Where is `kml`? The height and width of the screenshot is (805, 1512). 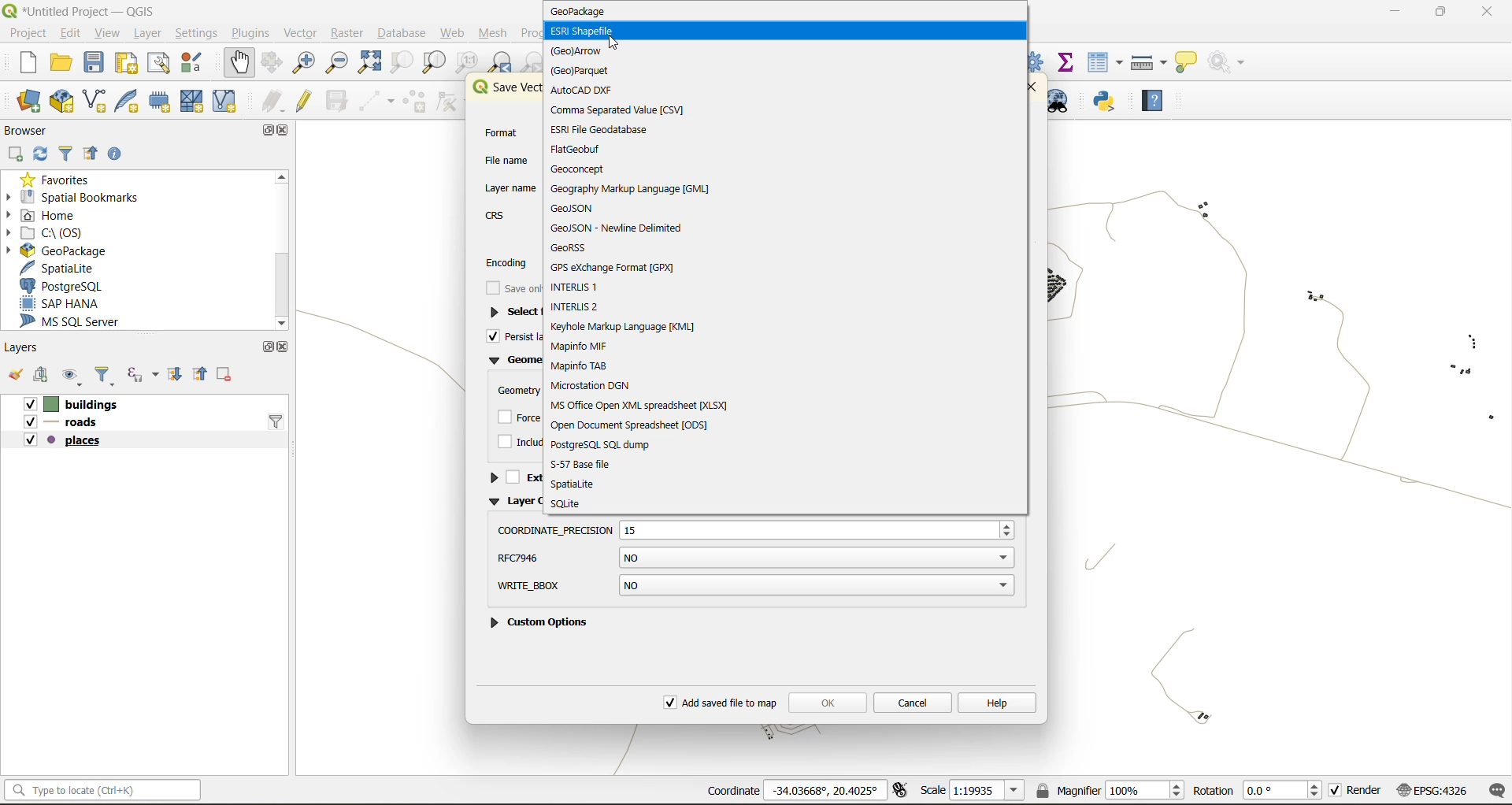 kml is located at coordinates (629, 325).